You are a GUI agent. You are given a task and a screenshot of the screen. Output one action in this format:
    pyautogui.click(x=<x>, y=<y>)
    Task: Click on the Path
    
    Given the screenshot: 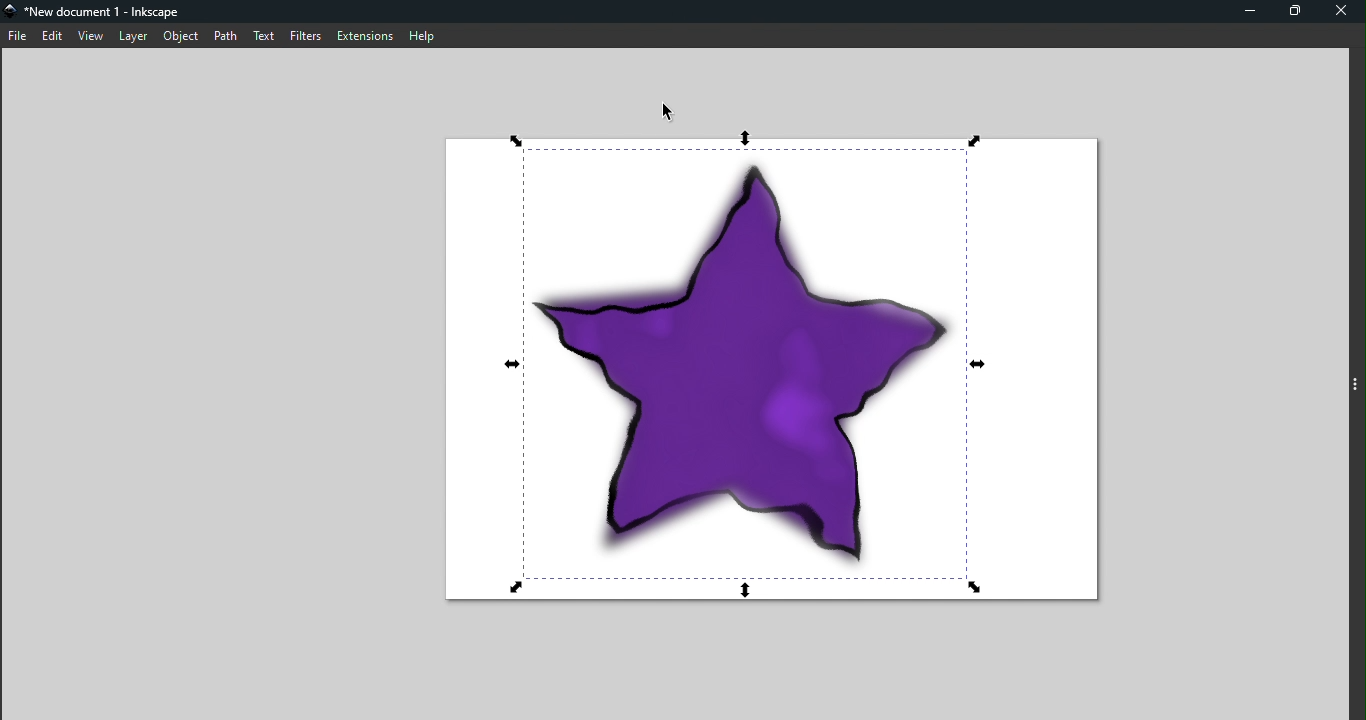 What is the action you would take?
    pyautogui.click(x=226, y=36)
    